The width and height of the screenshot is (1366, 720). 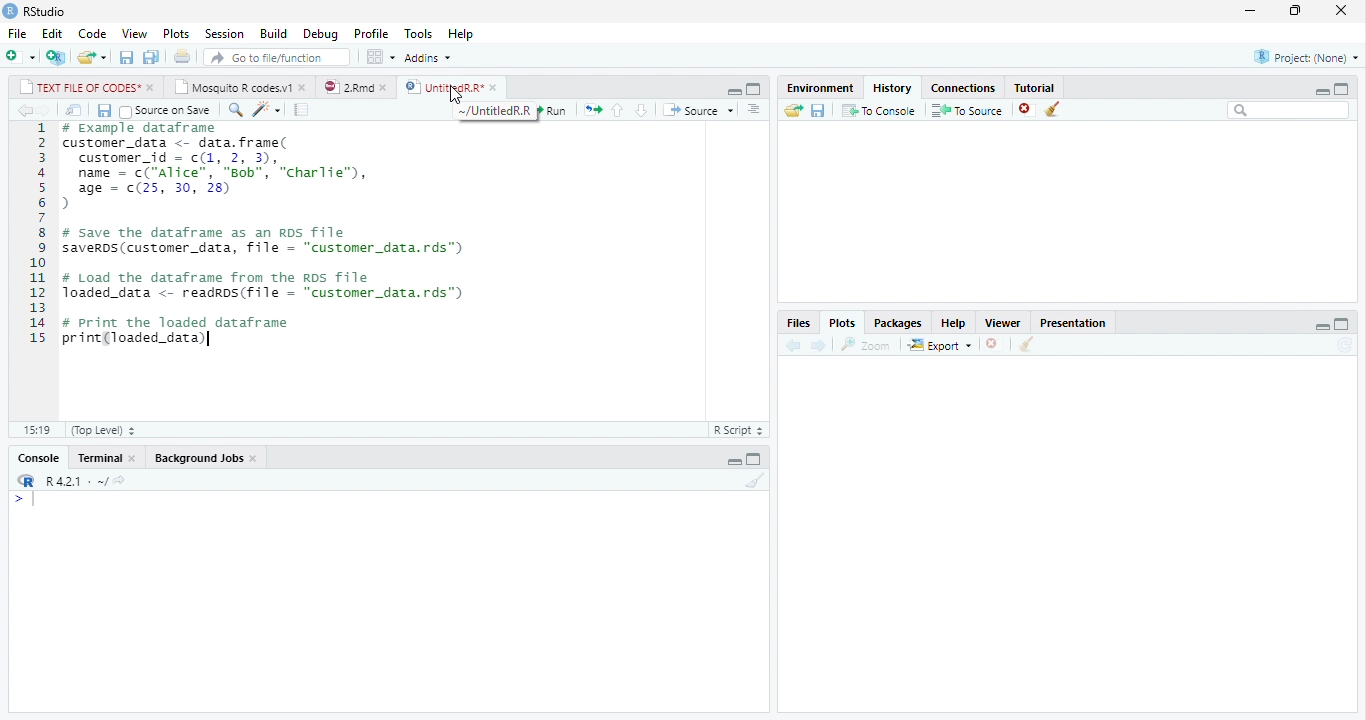 I want to click on Debug, so click(x=321, y=34).